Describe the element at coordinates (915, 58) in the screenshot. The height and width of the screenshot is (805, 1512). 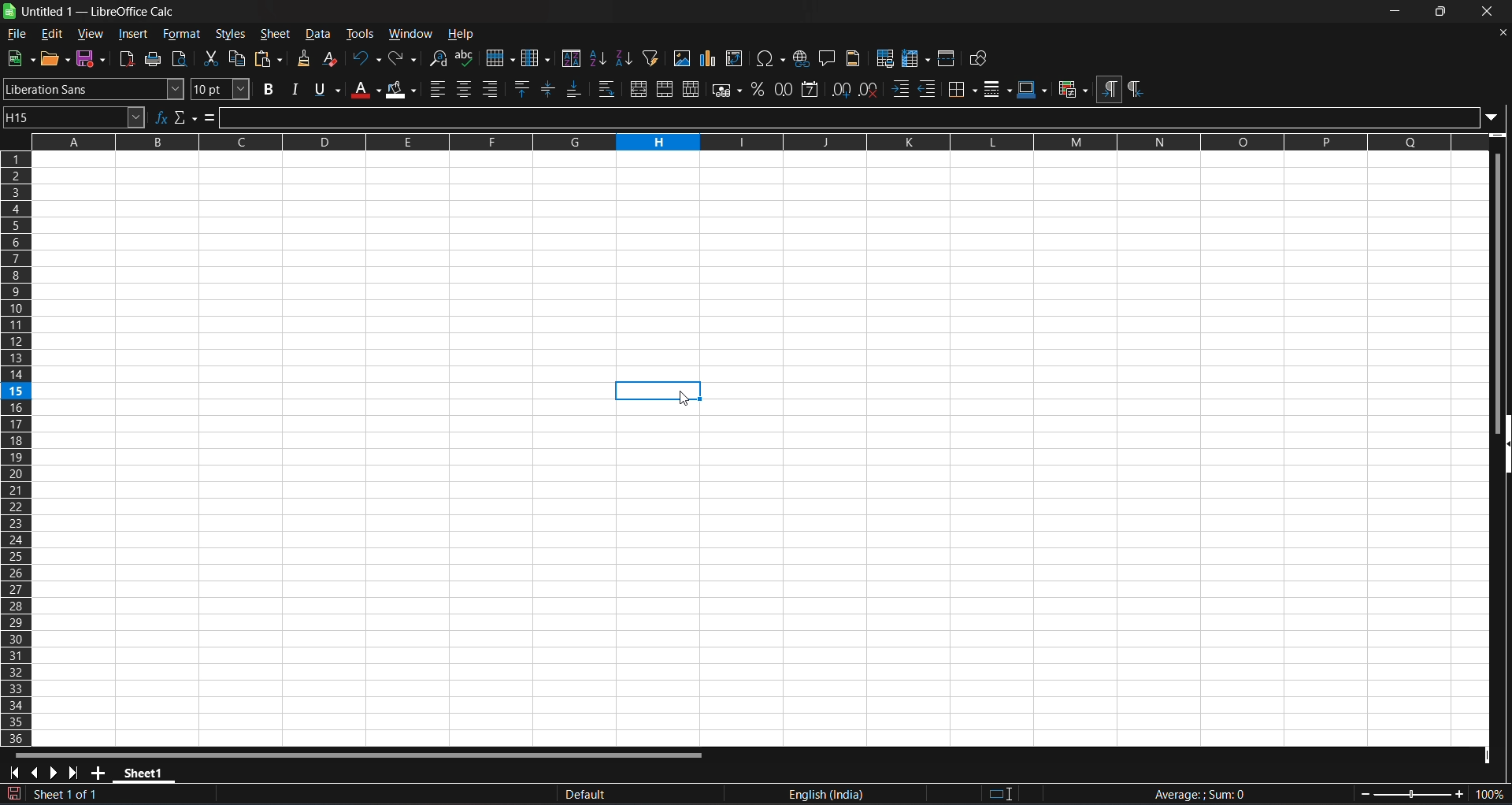
I see `freeze rows and columns` at that location.